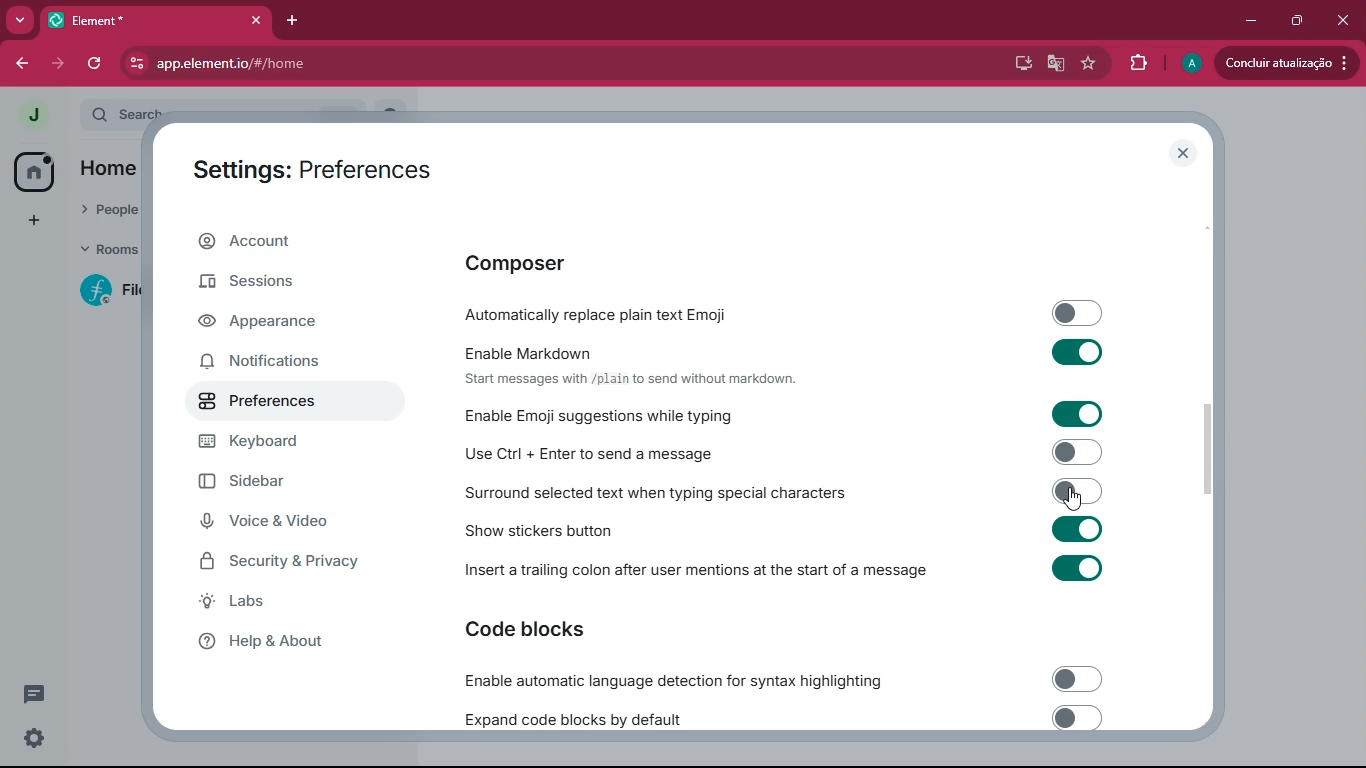 The width and height of the screenshot is (1366, 768). What do you see at coordinates (275, 483) in the screenshot?
I see `sidebar` at bounding box center [275, 483].